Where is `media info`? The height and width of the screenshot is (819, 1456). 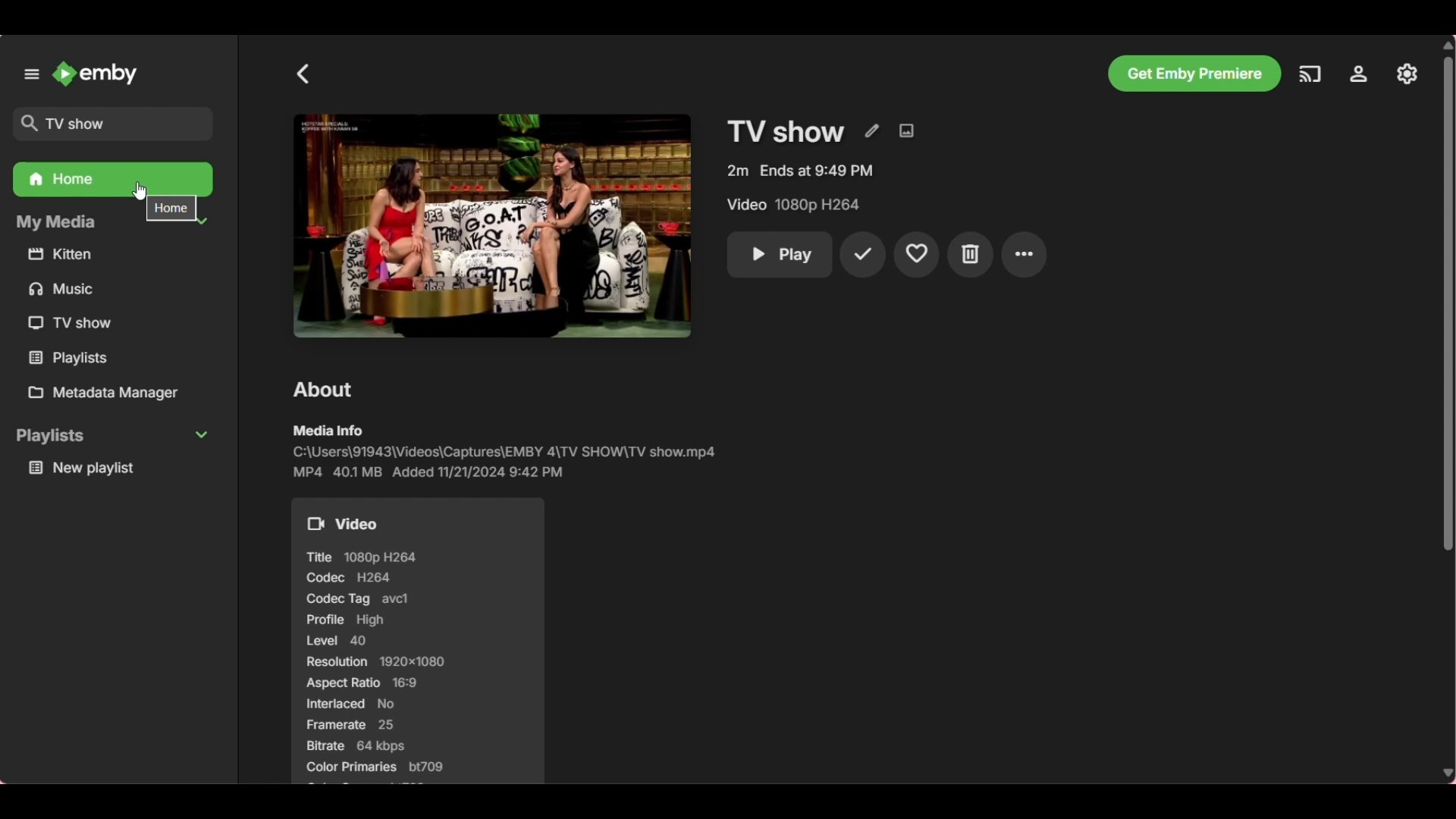 media info is located at coordinates (331, 429).